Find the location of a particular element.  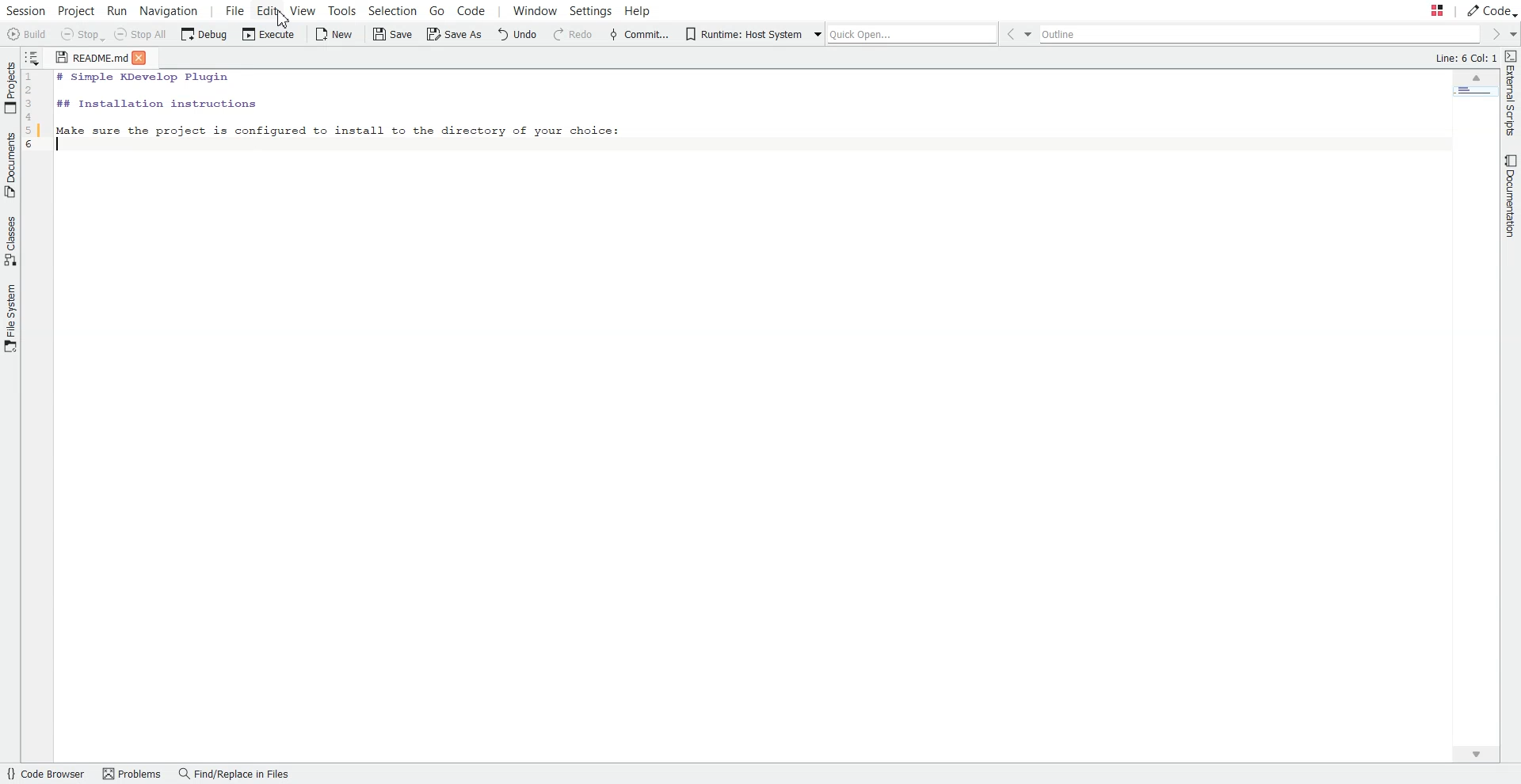

Mouse Pointer is located at coordinates (288, 20).